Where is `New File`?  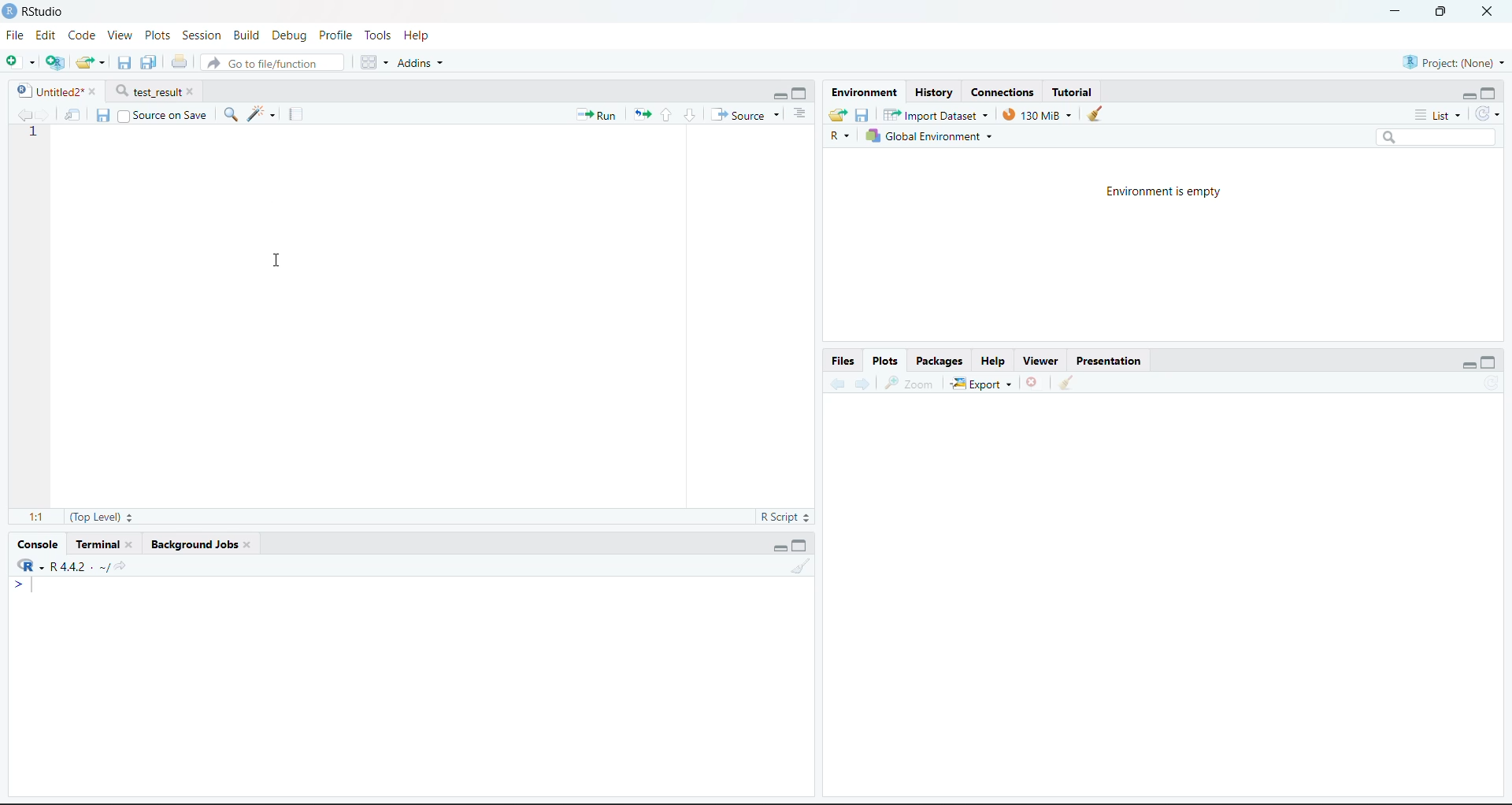 New File is located at coordinates (21, 61).